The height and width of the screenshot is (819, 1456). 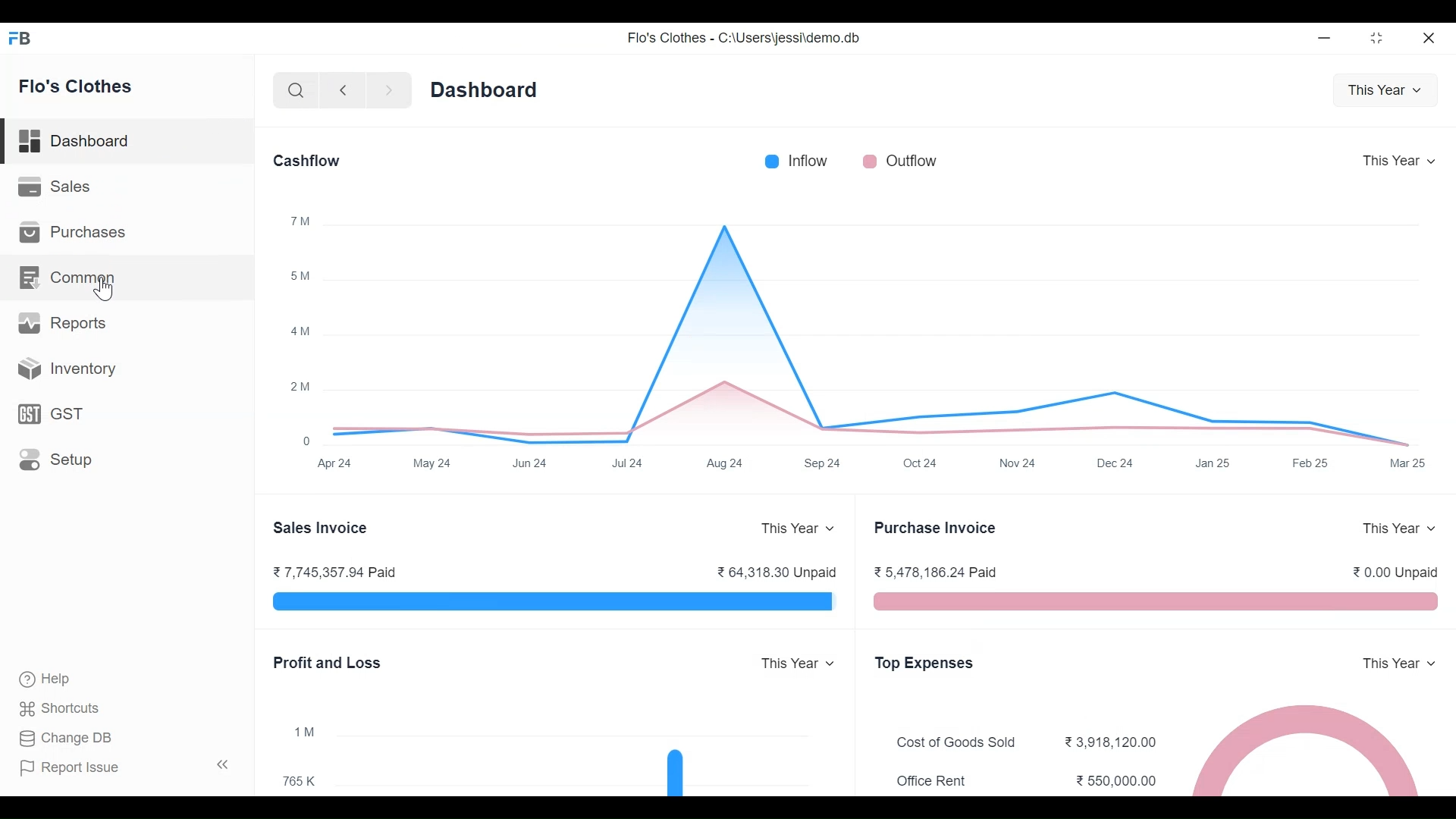 I want to click on This Year, so click(x=798, y=664).